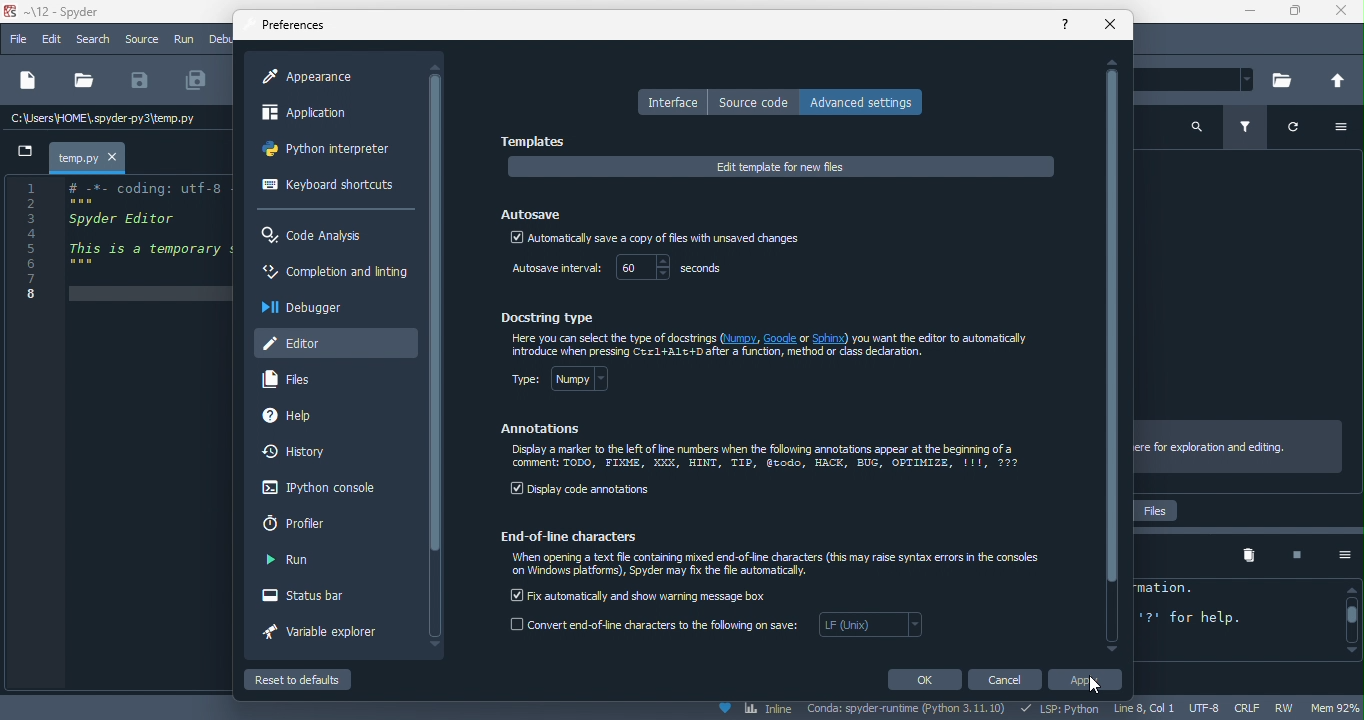 The width and height of the screenshot is (1364, 720). What do you see at coordinates (1008, 680) in the screenshot?
I see `cancel` at bounding box center [1008, 680].